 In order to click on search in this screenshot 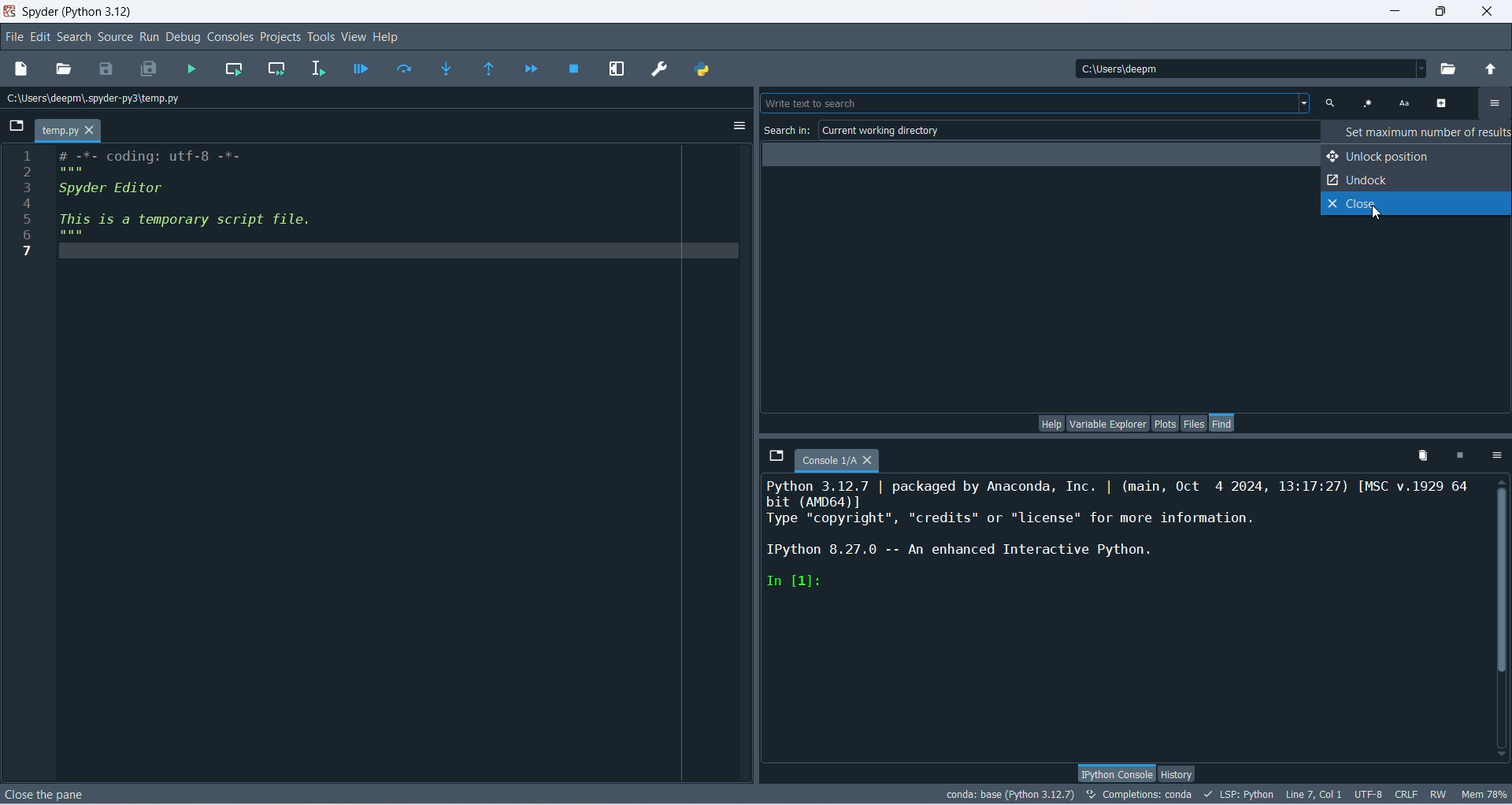, I will do `click(1031, 102)`.